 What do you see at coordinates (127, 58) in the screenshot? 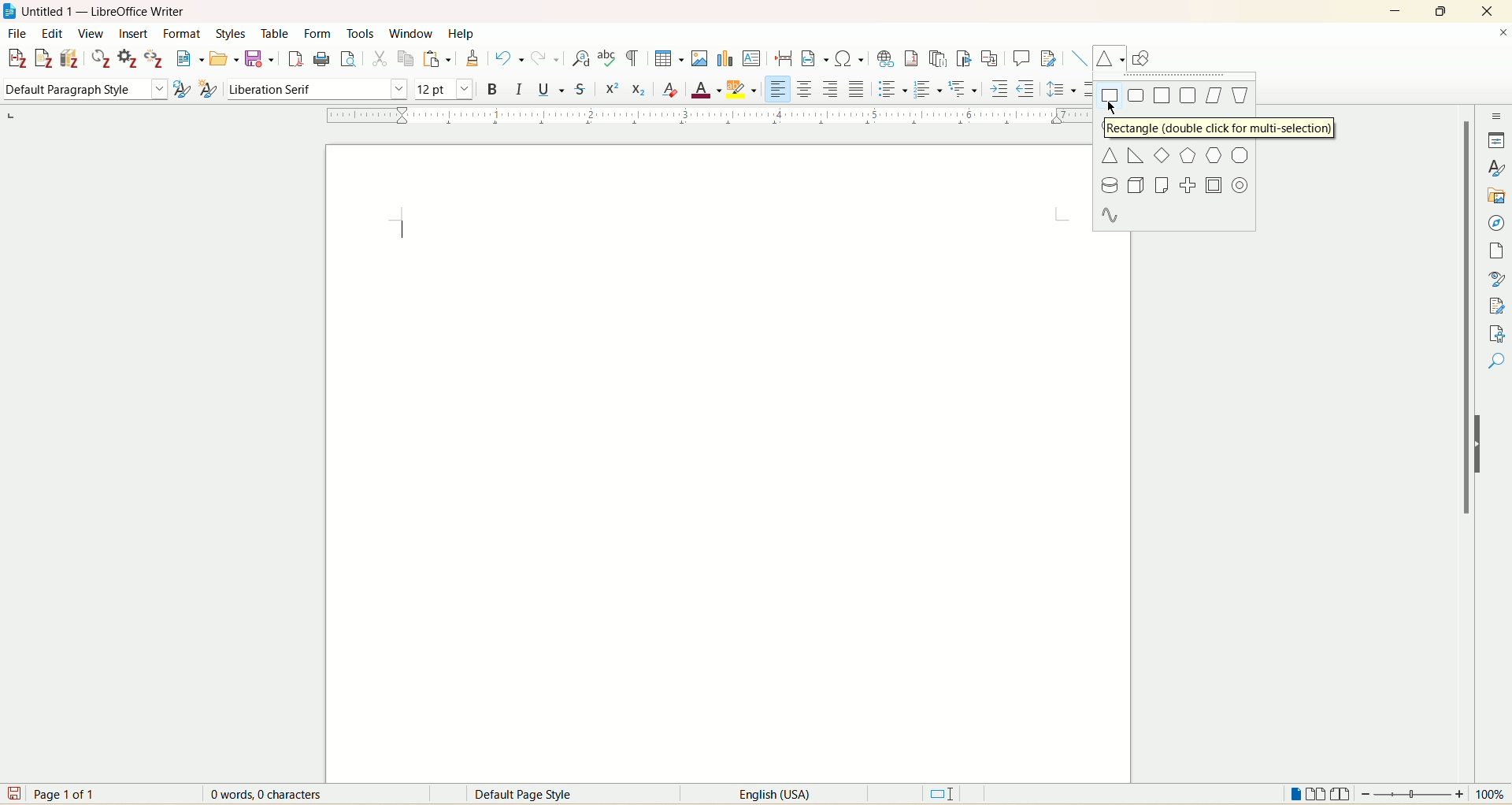
I see `document preferences` at bounding box center [127, 58].